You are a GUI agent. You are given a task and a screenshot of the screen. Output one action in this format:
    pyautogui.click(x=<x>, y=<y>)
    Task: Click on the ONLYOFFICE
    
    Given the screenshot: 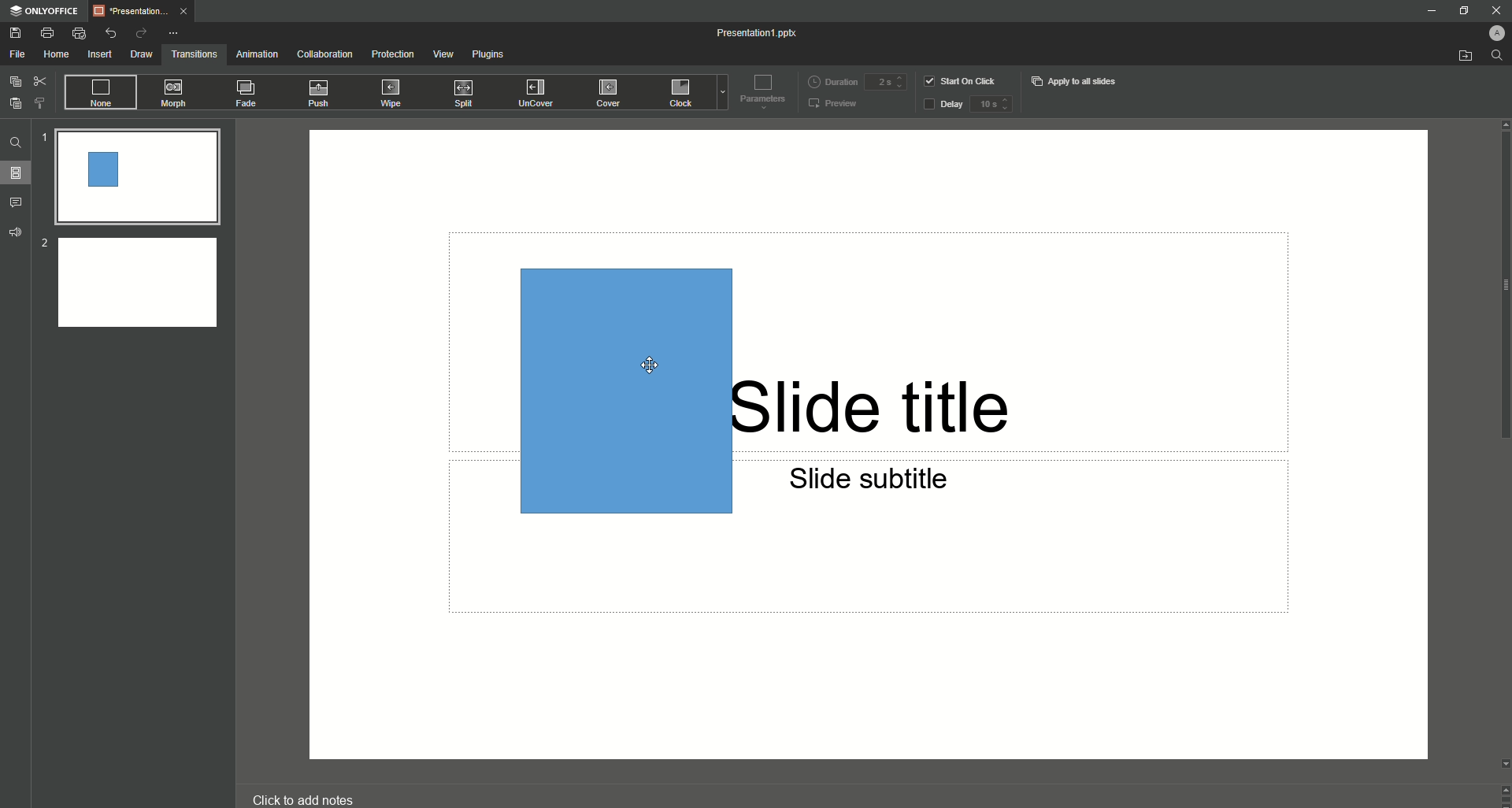 What is the action you would take?
    pyautogui.click(x=46, y=10)
    